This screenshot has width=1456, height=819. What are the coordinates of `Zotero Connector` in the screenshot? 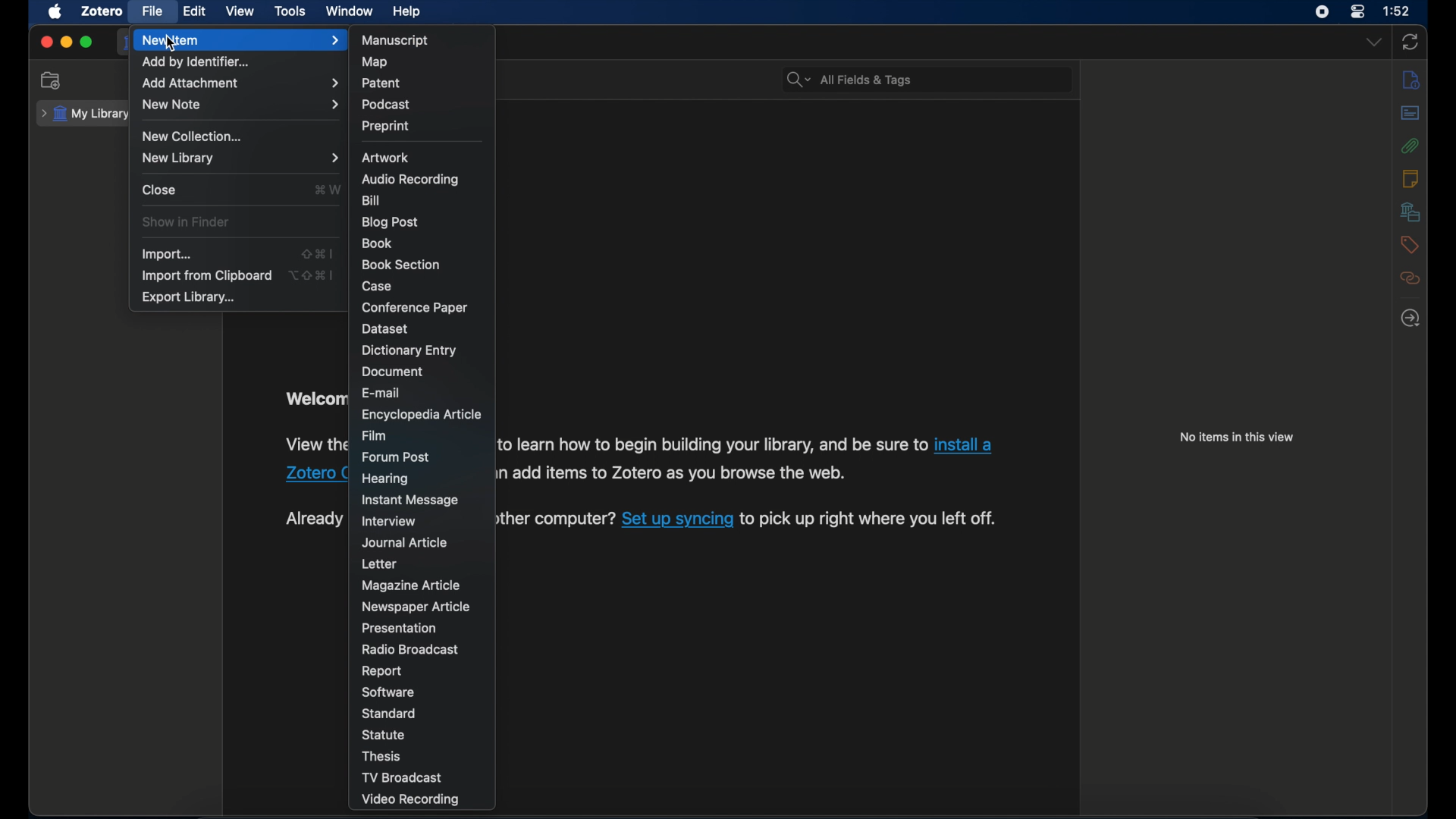 It's located at (316, 472).